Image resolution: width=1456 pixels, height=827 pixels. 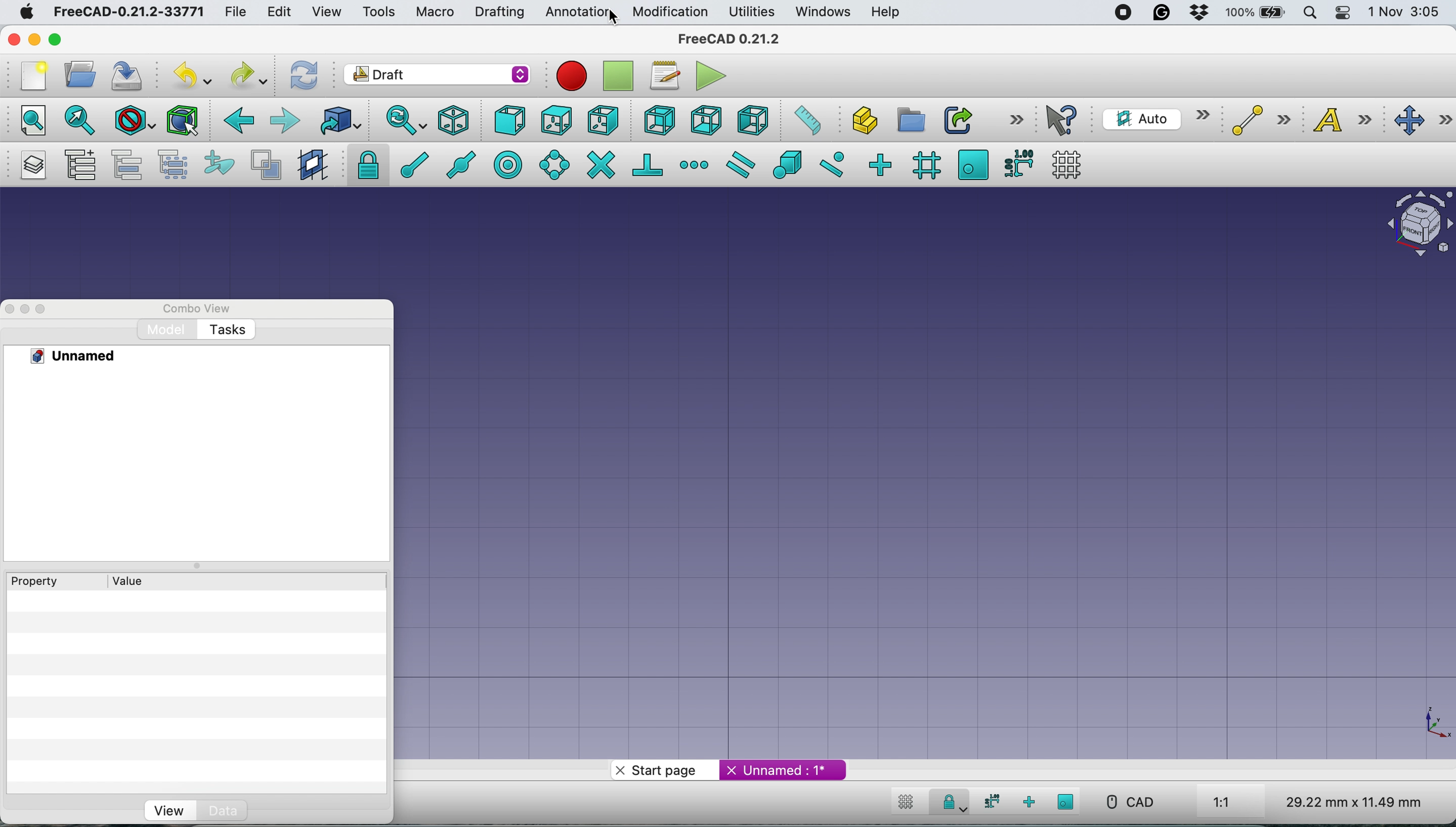 What do you see at coordinates (197, 73) in the screenshot?
I see `undo` at bounding box center [197, 73].